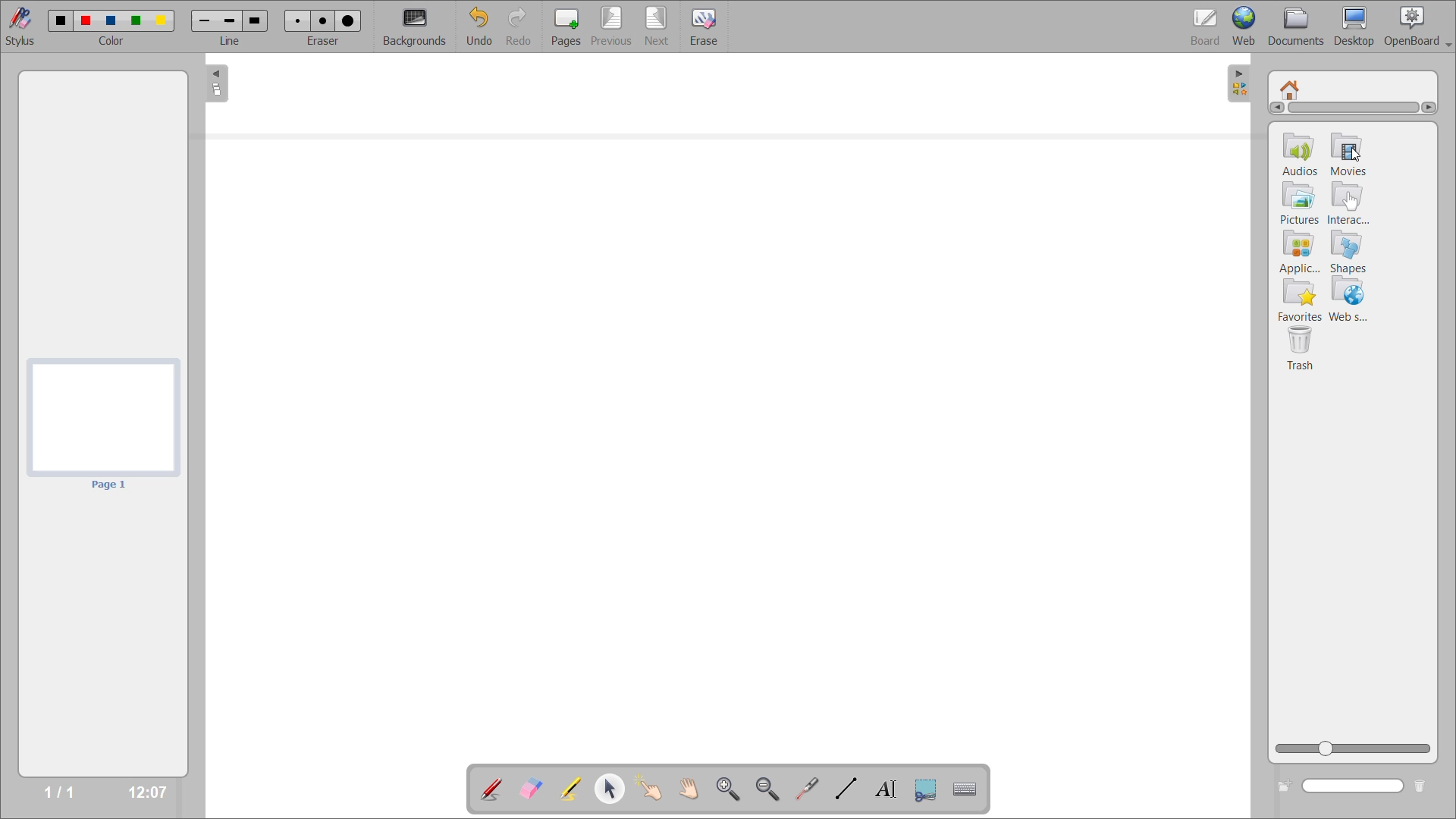  I want to click on virtual keyboard, so click(971, 791).